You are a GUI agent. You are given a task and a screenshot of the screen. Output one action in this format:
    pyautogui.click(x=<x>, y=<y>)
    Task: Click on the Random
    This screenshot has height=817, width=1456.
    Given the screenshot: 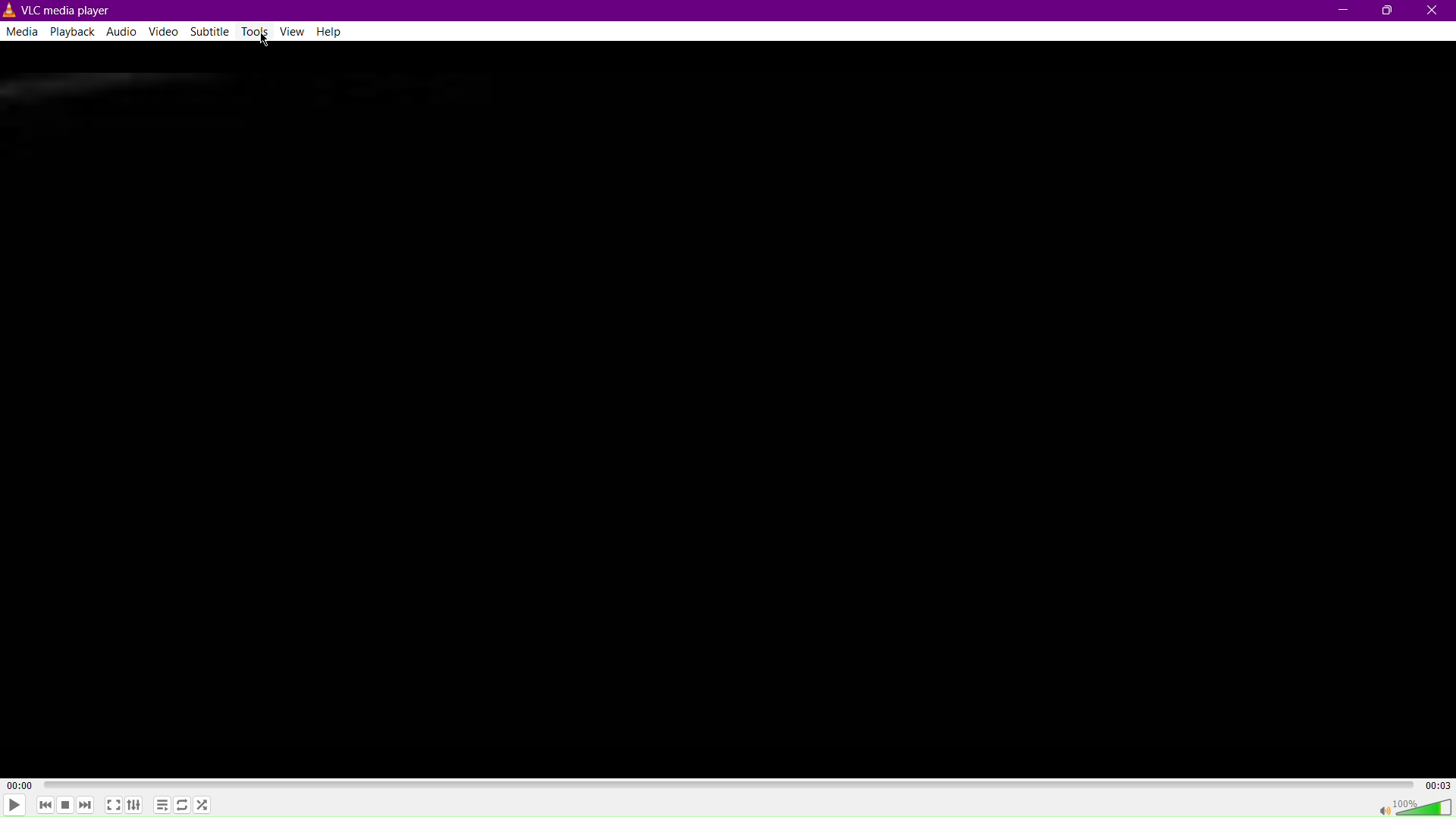 What is the action you would take?
    pyautogui.click(x=206, y=805)
    